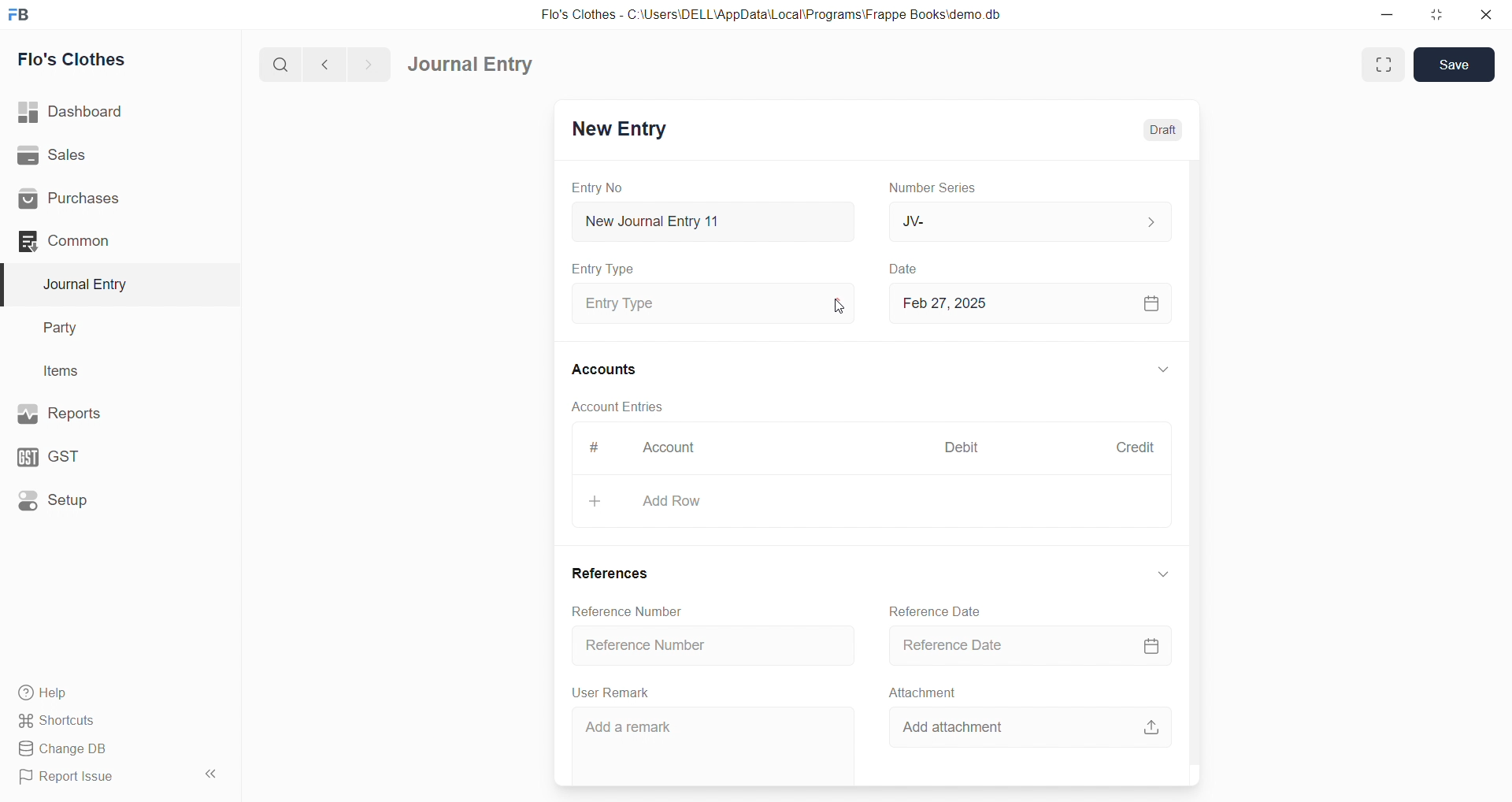  Describe the element at coordinates (1192, 472) in the screenshot. I see `VERTICAL SCROLL BAR` at that location.